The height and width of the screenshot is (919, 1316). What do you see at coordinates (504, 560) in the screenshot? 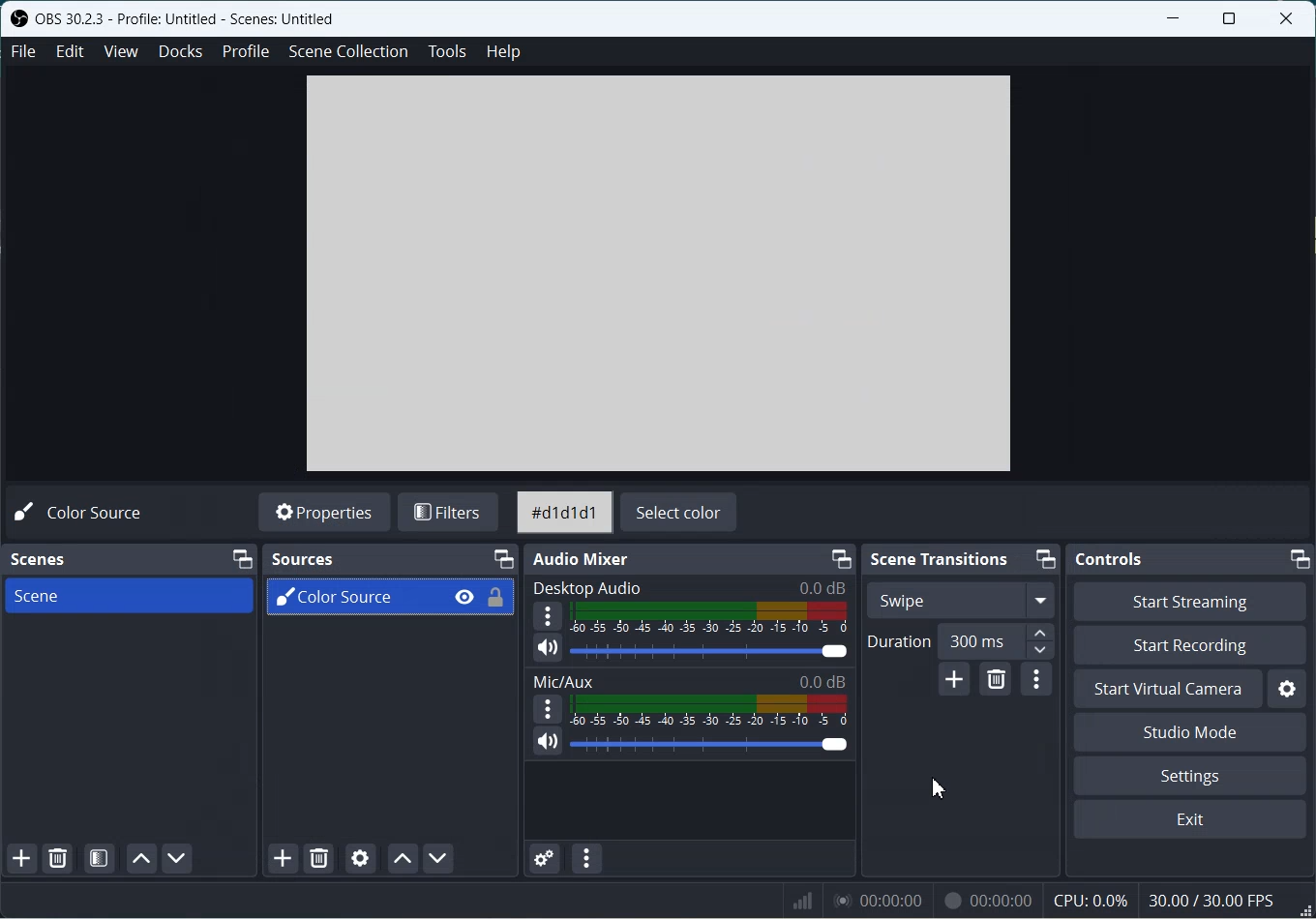
I see `Minimize` at bounding box center [504, 560].